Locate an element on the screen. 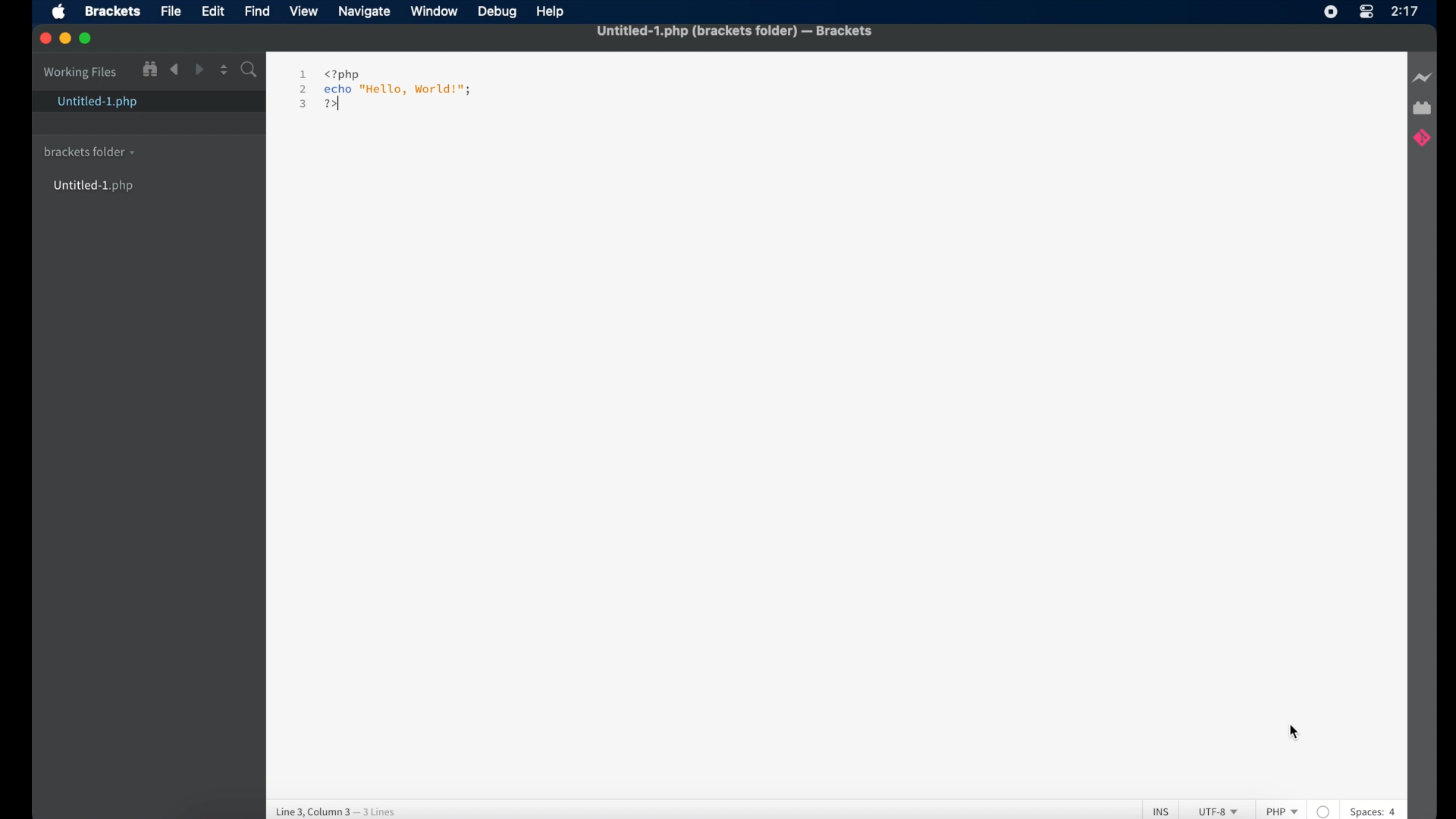  extensions manager is located at coordinates (1422, 107).